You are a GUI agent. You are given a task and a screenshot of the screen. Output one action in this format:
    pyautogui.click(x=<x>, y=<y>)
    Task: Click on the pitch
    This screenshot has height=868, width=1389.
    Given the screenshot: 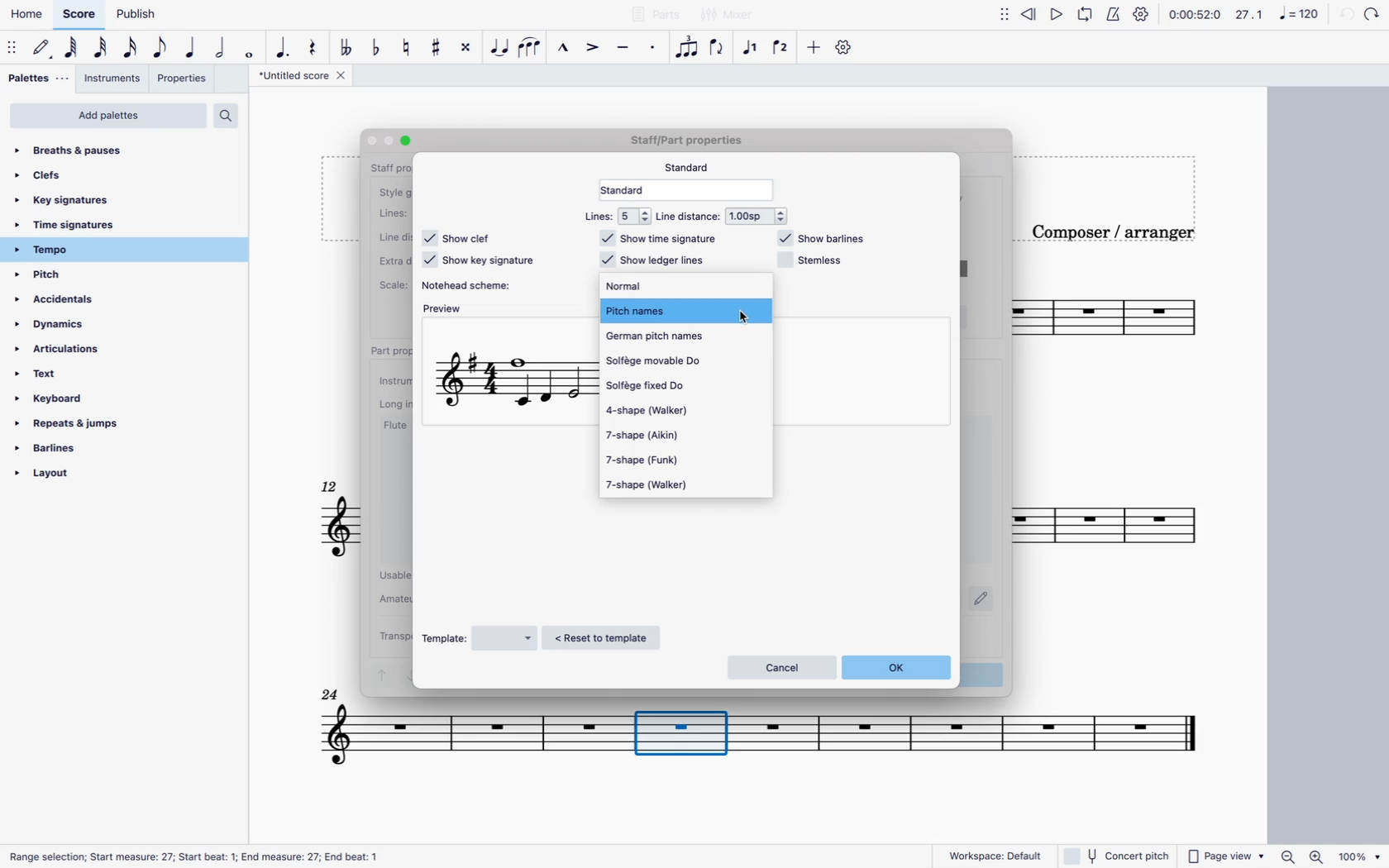 What is the action you would take?
    pyautogui.click(x=64, y=276)
    